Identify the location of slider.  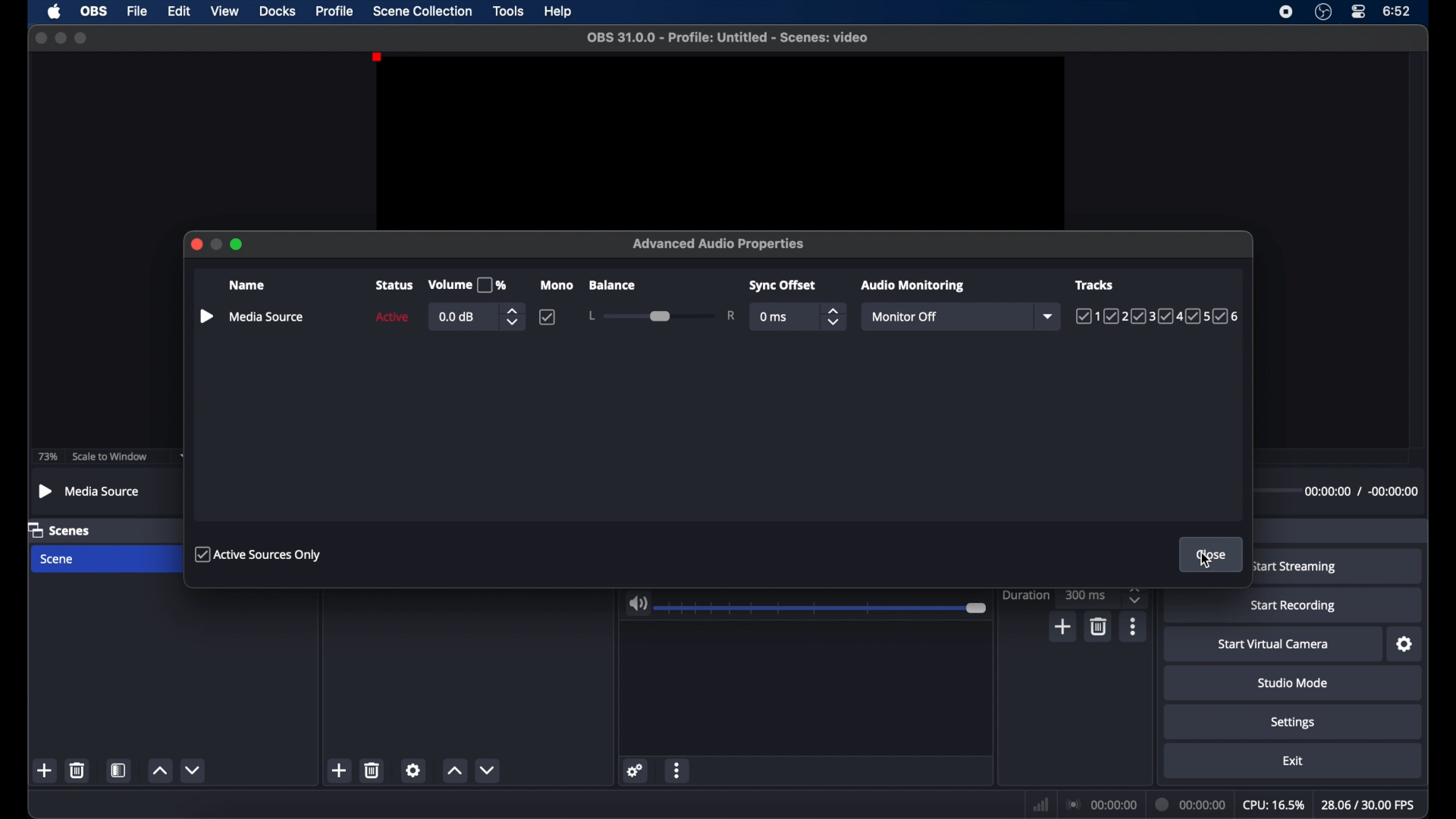
(663, 315).